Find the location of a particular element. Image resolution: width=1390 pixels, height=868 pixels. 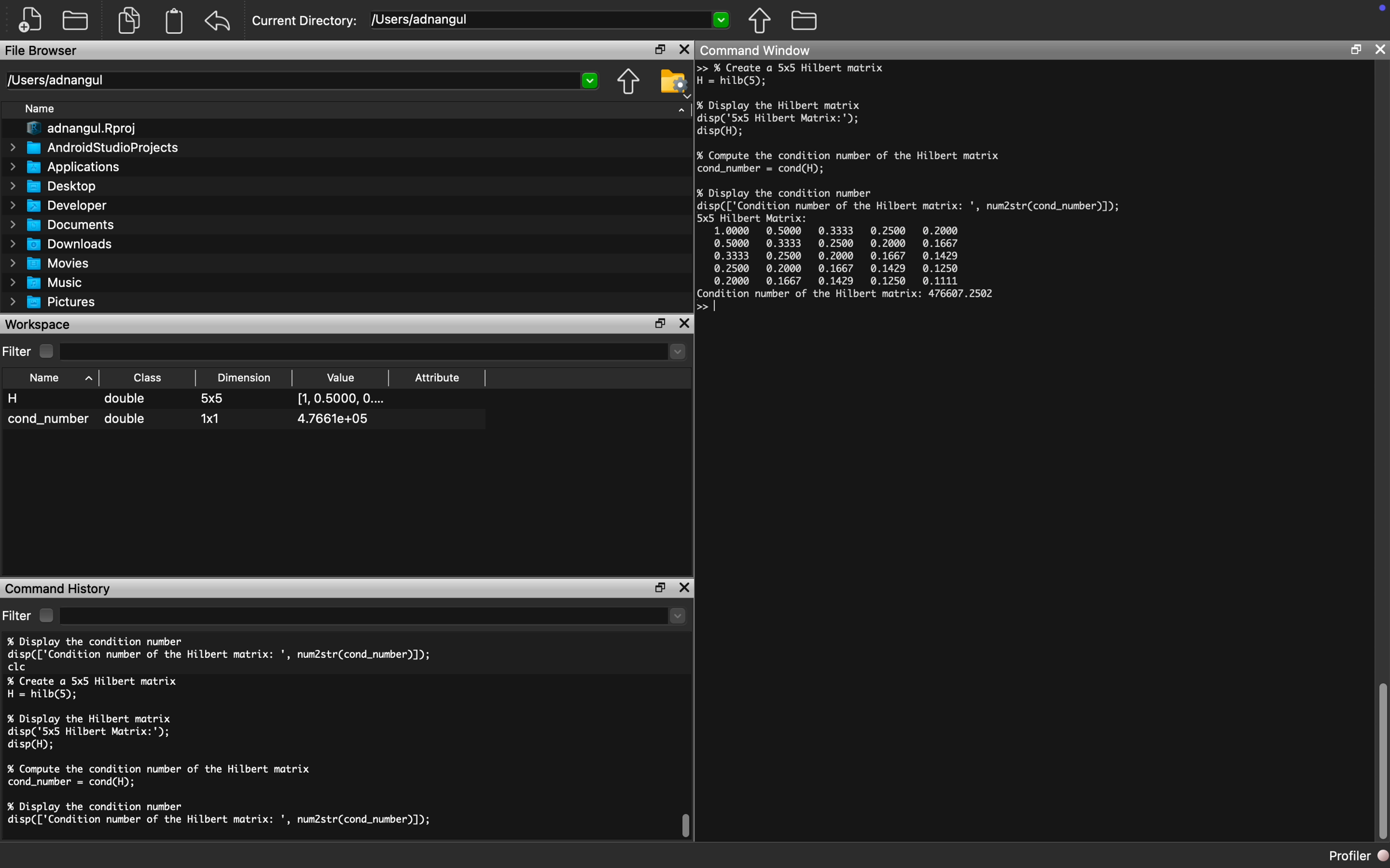

Command Window is located at coordinates (758, 51).